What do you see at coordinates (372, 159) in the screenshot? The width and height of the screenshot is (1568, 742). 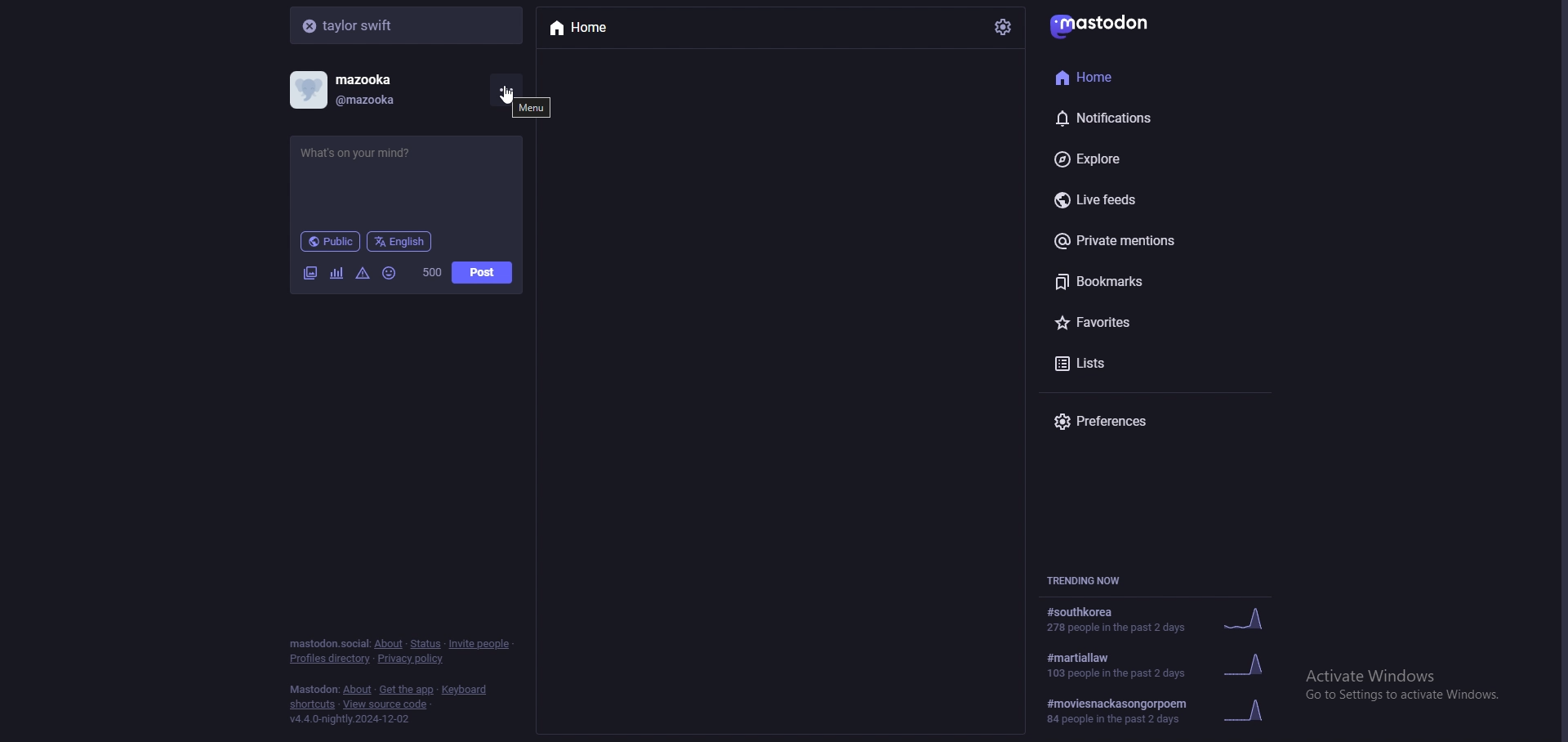 I see `status` at bounding box center [372, 159].